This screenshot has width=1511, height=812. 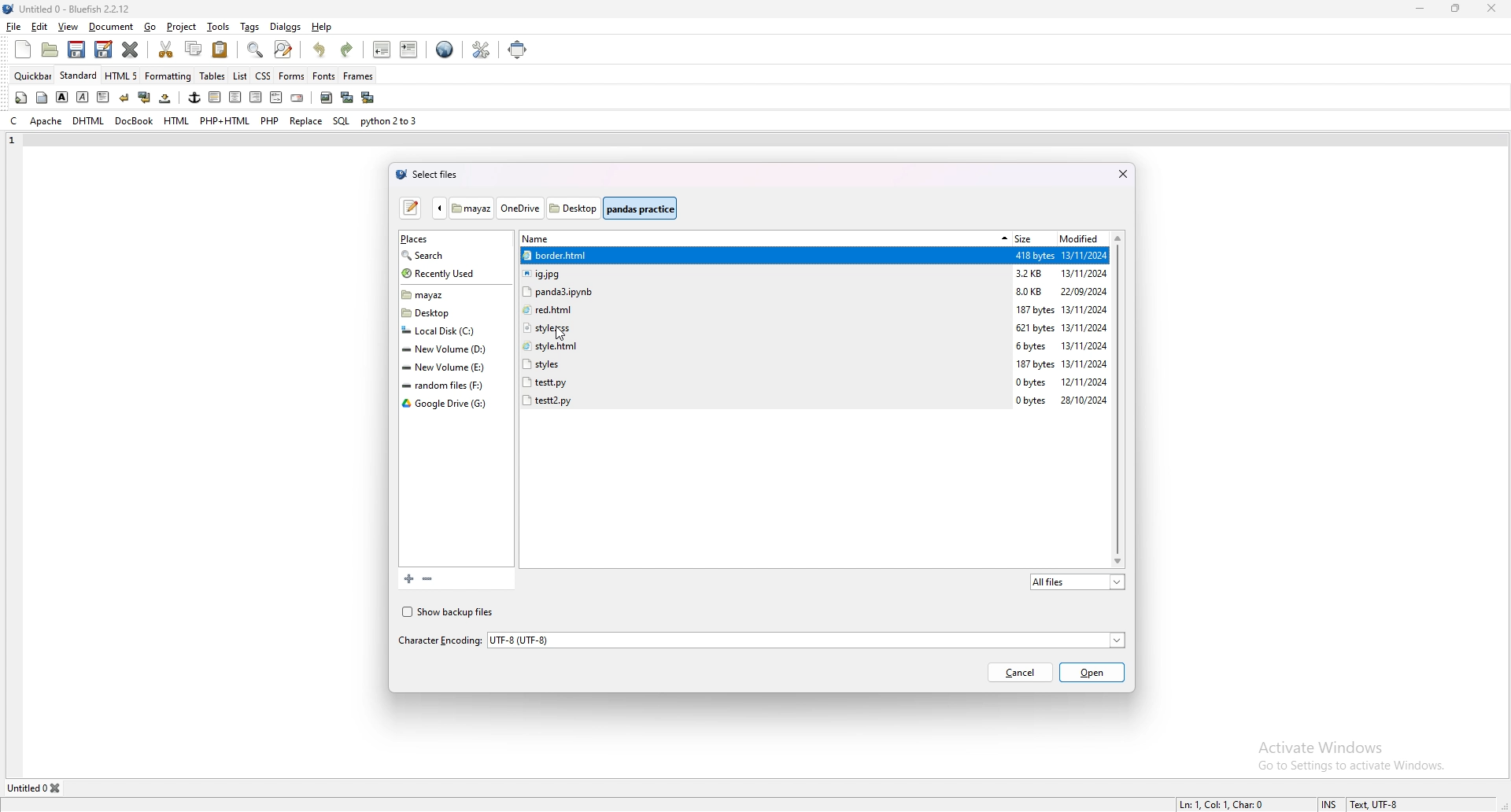 I want to click on close, so click(x=1122, y=175).